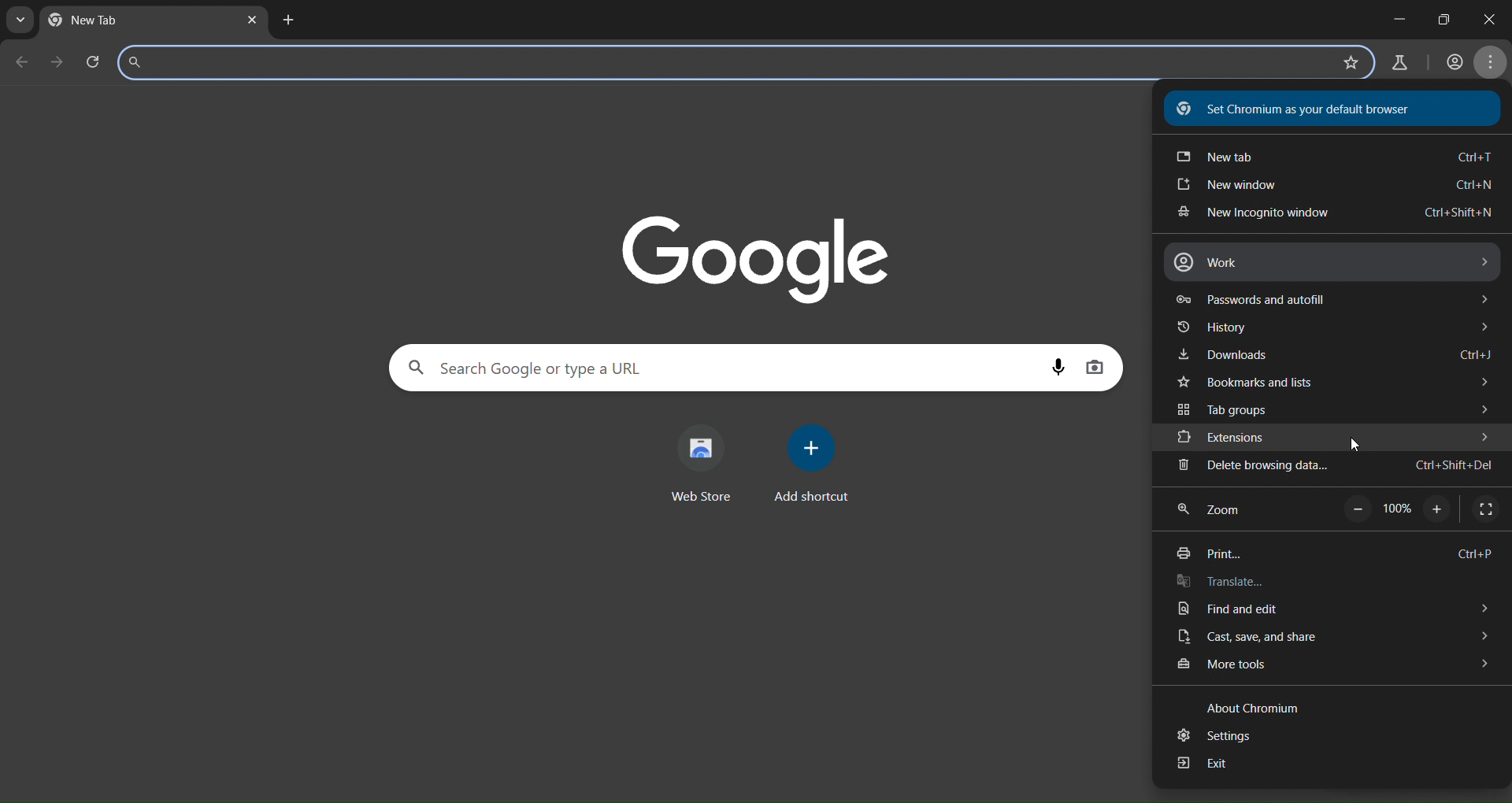 Image resolution: width=1512 pixels, height=803 pixels. Describe the element at coordinates (1222, 584) in the screenshot. I see `translate` at that location.